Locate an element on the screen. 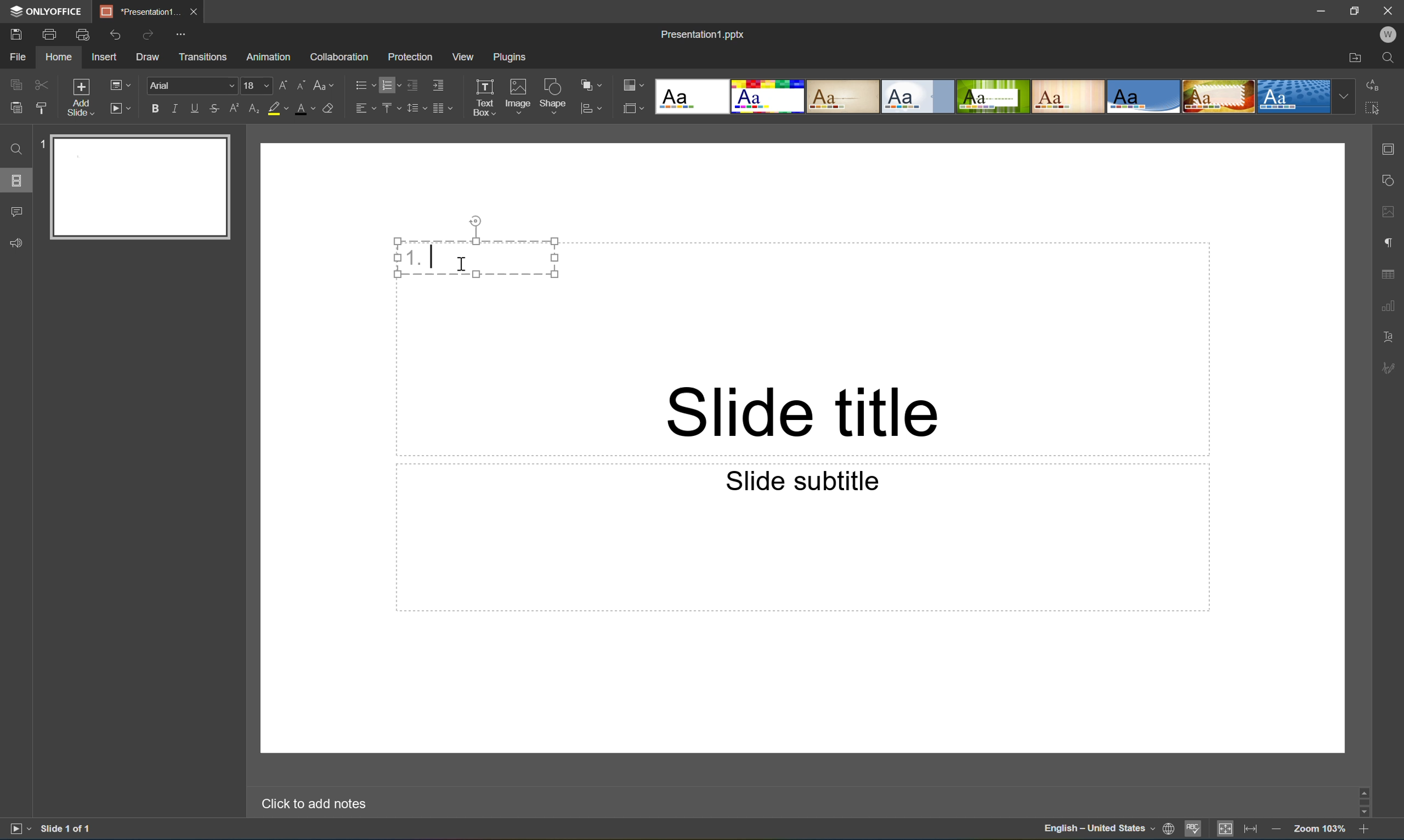 This screenshot has width=1404, height=840. Cursor is located at coordinates (465, 267).